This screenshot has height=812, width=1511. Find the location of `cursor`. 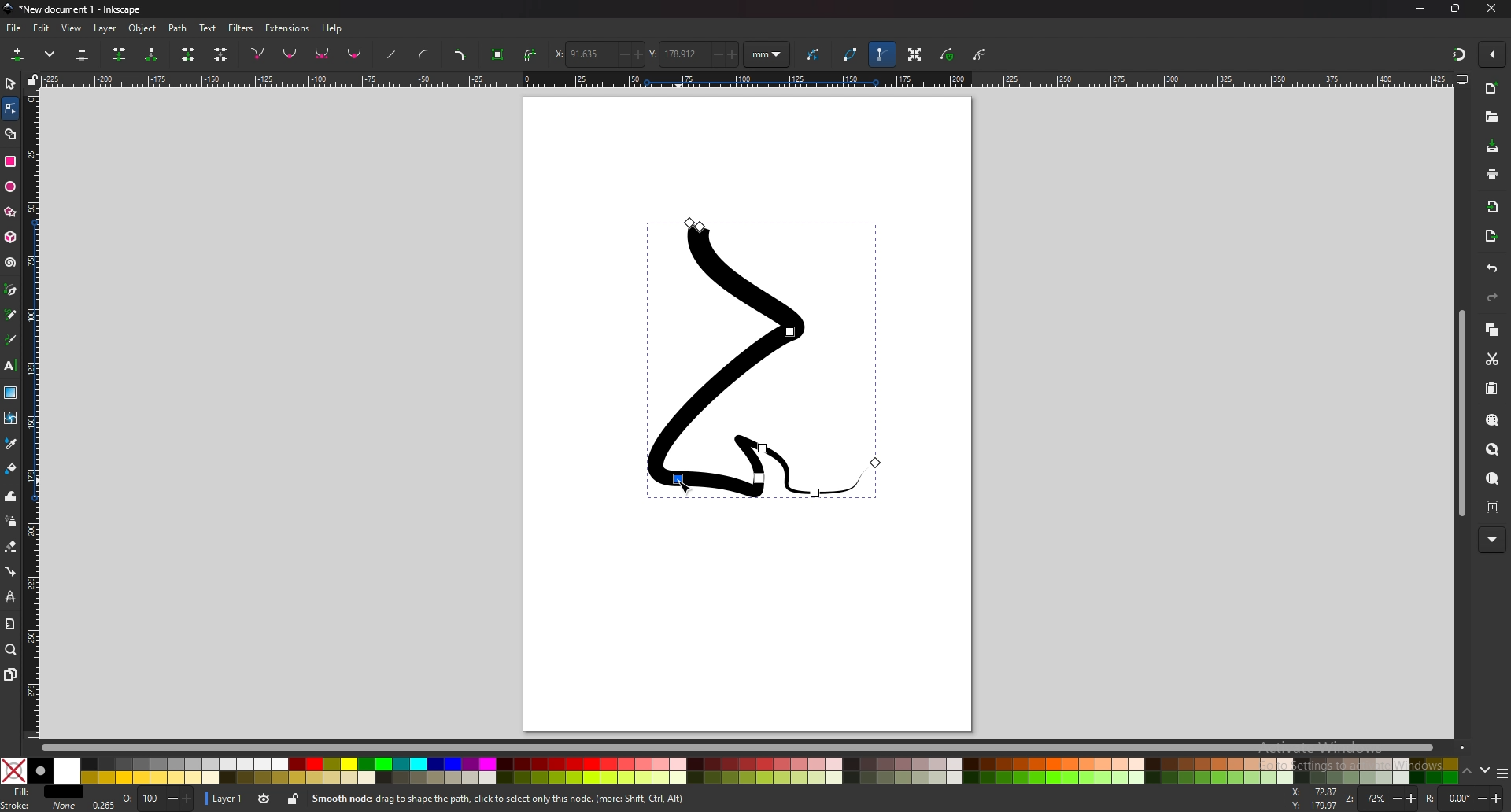

cursor is located at coordinates (685, 485).